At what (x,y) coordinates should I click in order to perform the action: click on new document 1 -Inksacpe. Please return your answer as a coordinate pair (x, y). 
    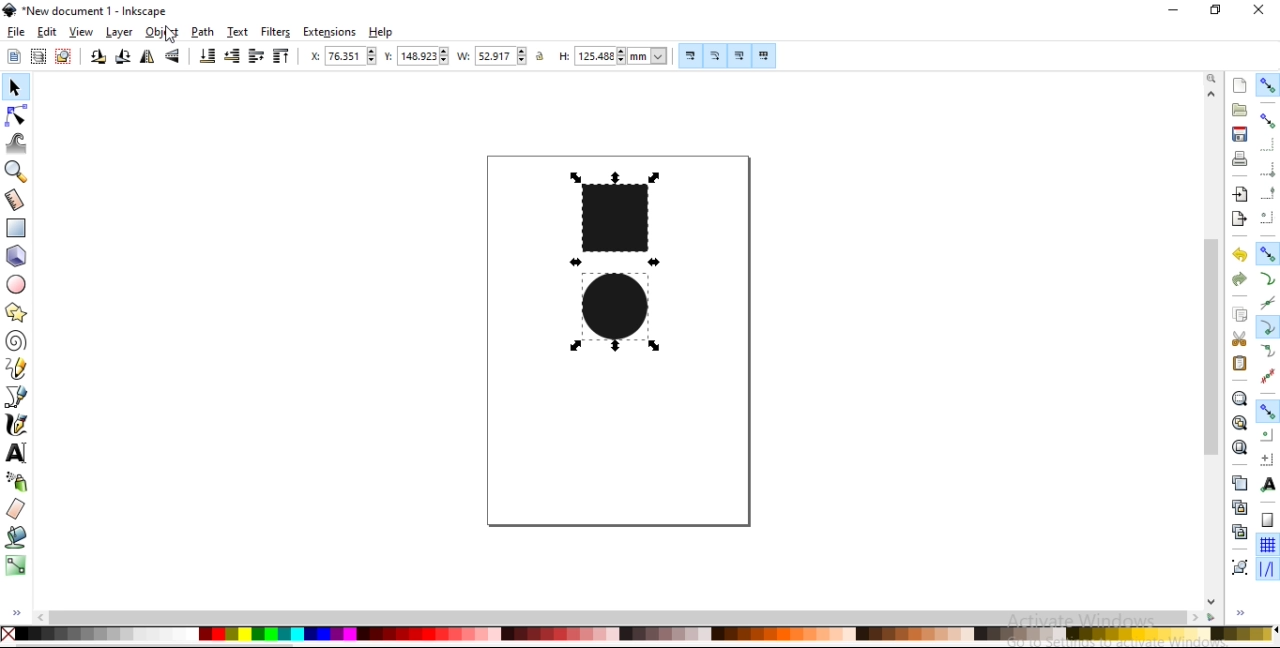
    Looking at the image, I should click on (92, 11).